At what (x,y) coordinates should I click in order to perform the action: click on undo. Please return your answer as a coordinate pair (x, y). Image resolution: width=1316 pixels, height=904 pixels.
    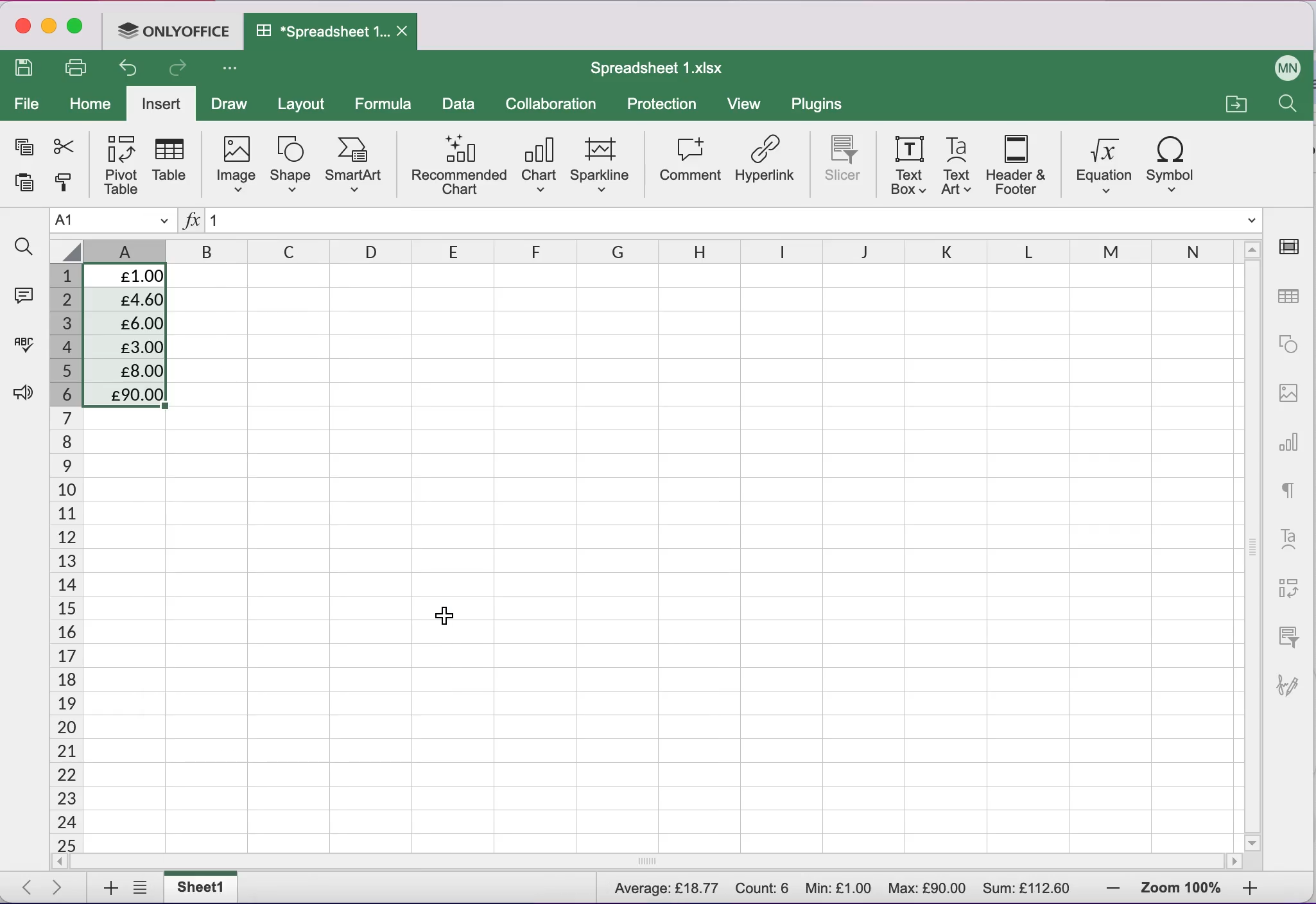
    Looking at the image, I should click on (124, 68).